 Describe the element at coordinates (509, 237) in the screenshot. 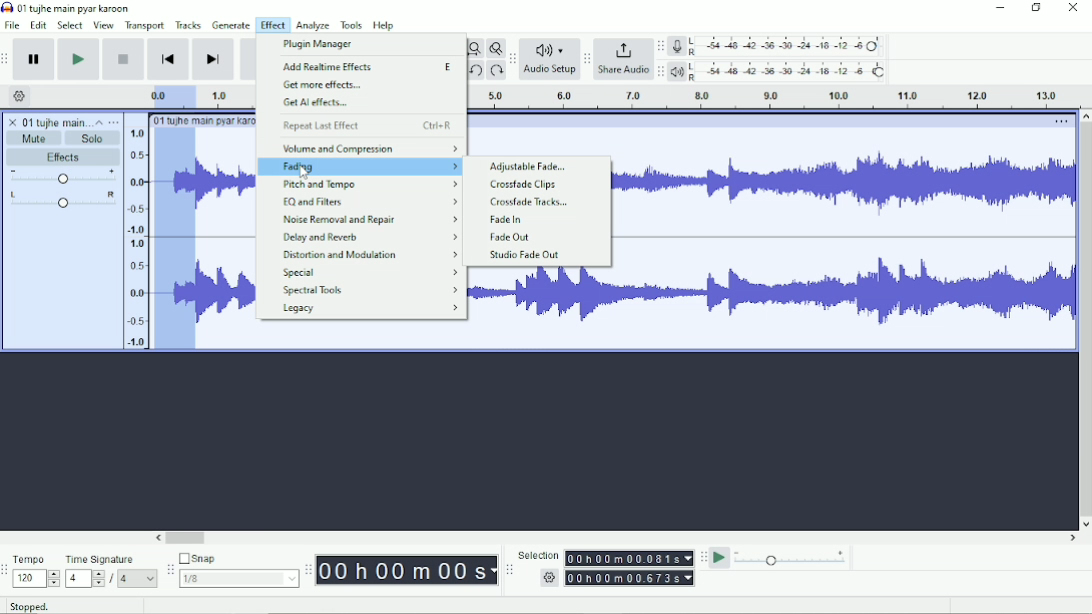

I see `Fade Out` at that location.